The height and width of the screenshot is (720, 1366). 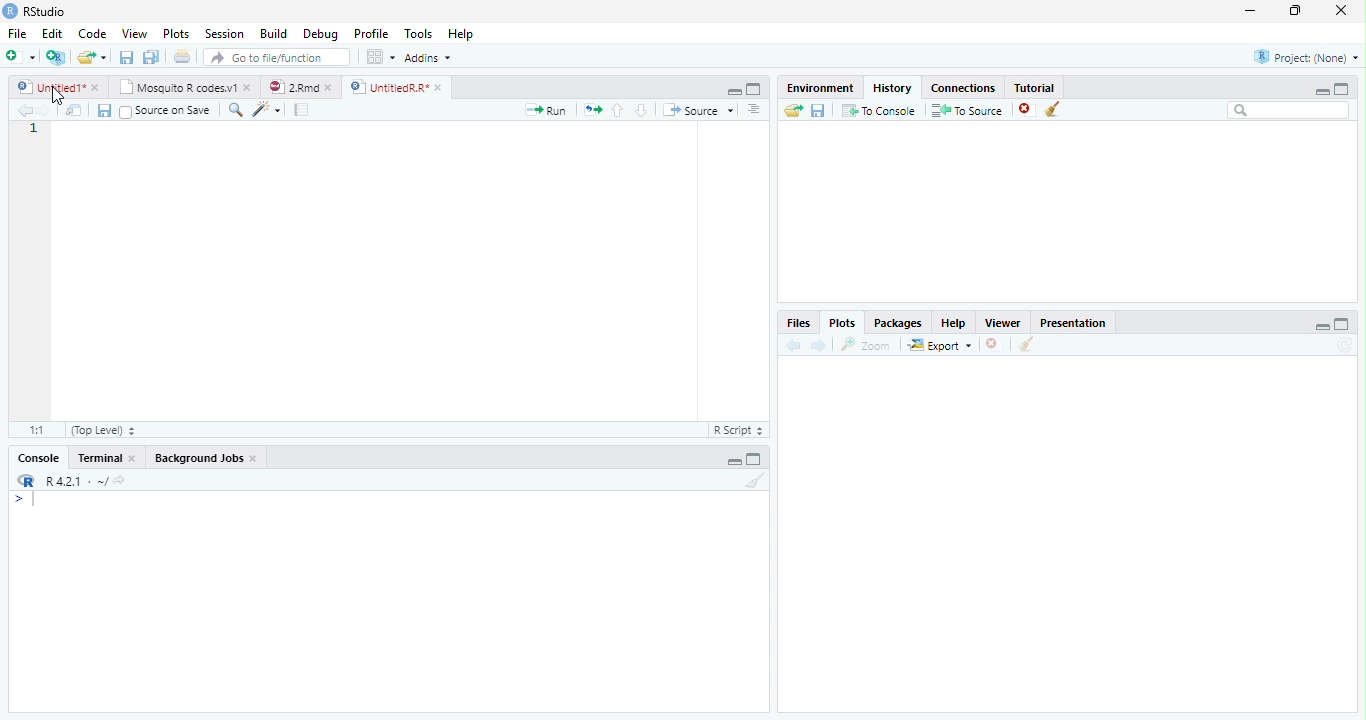 I want to click on Source, so click(x=697, y=109).